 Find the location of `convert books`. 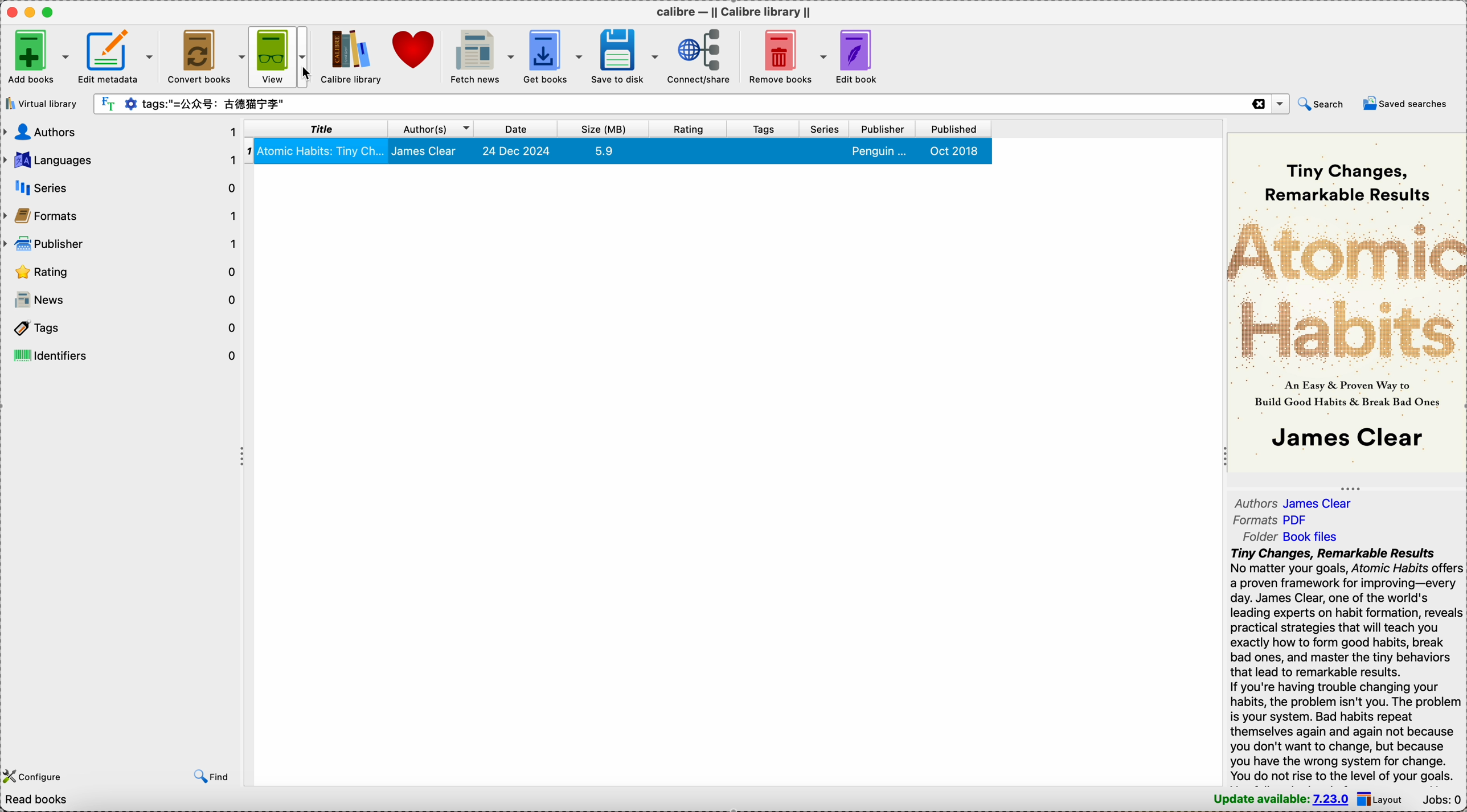

convert books is located at coordinates (206, 55).